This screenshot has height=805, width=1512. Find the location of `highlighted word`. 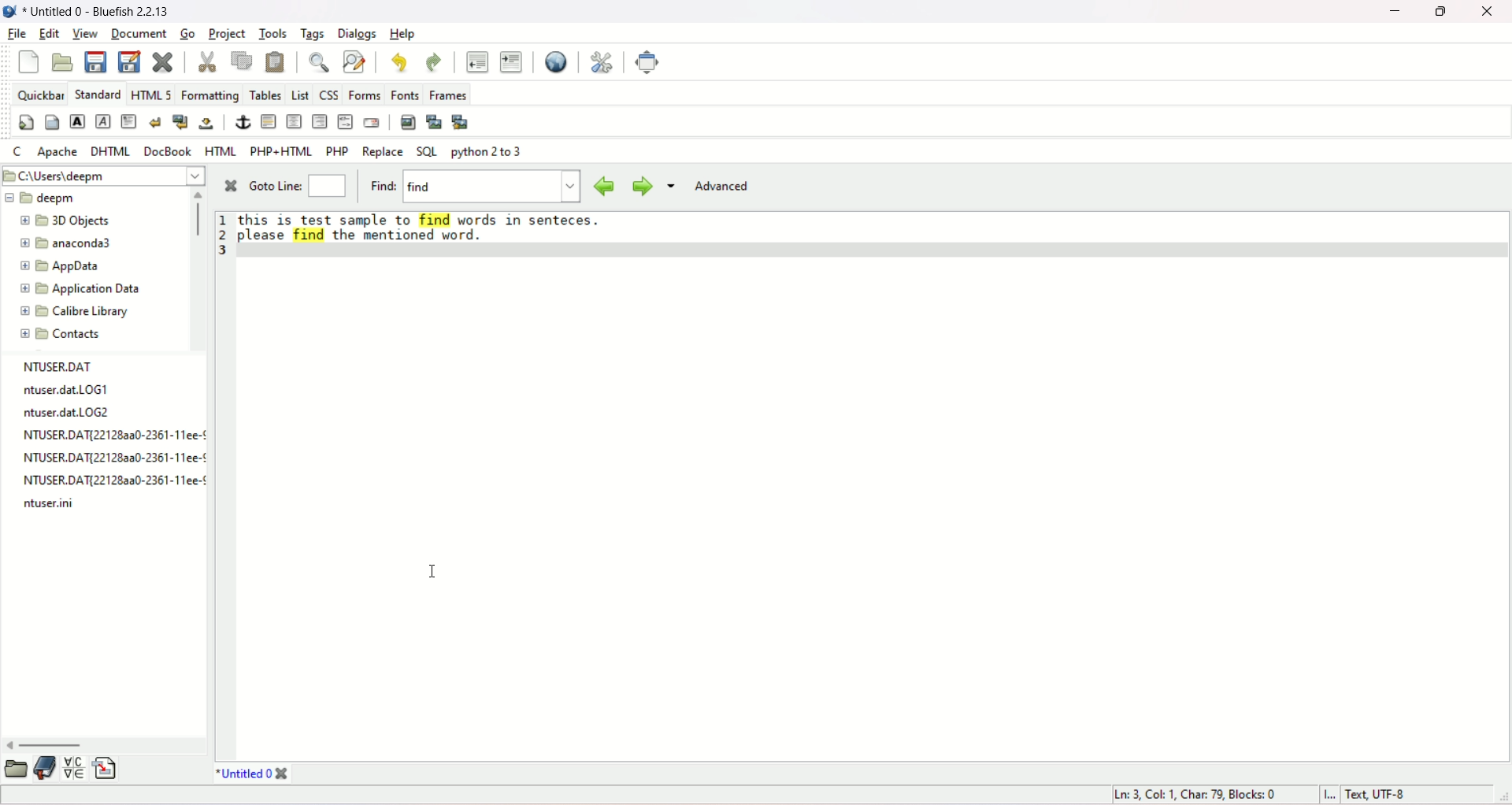

highlighted word is located at coordinates (306, 235).